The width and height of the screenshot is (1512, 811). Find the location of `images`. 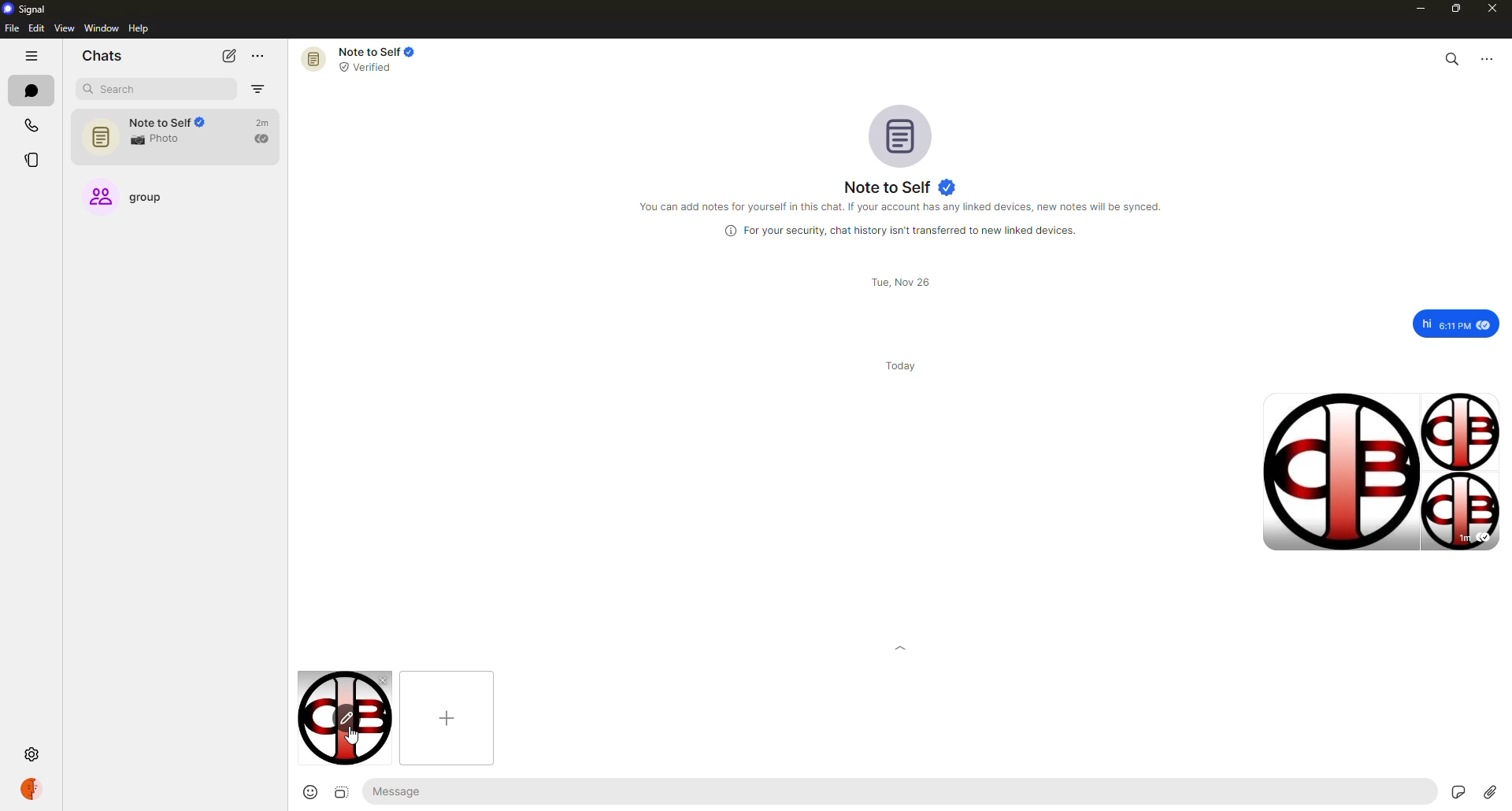

images is located at coordinates (1378, 470).